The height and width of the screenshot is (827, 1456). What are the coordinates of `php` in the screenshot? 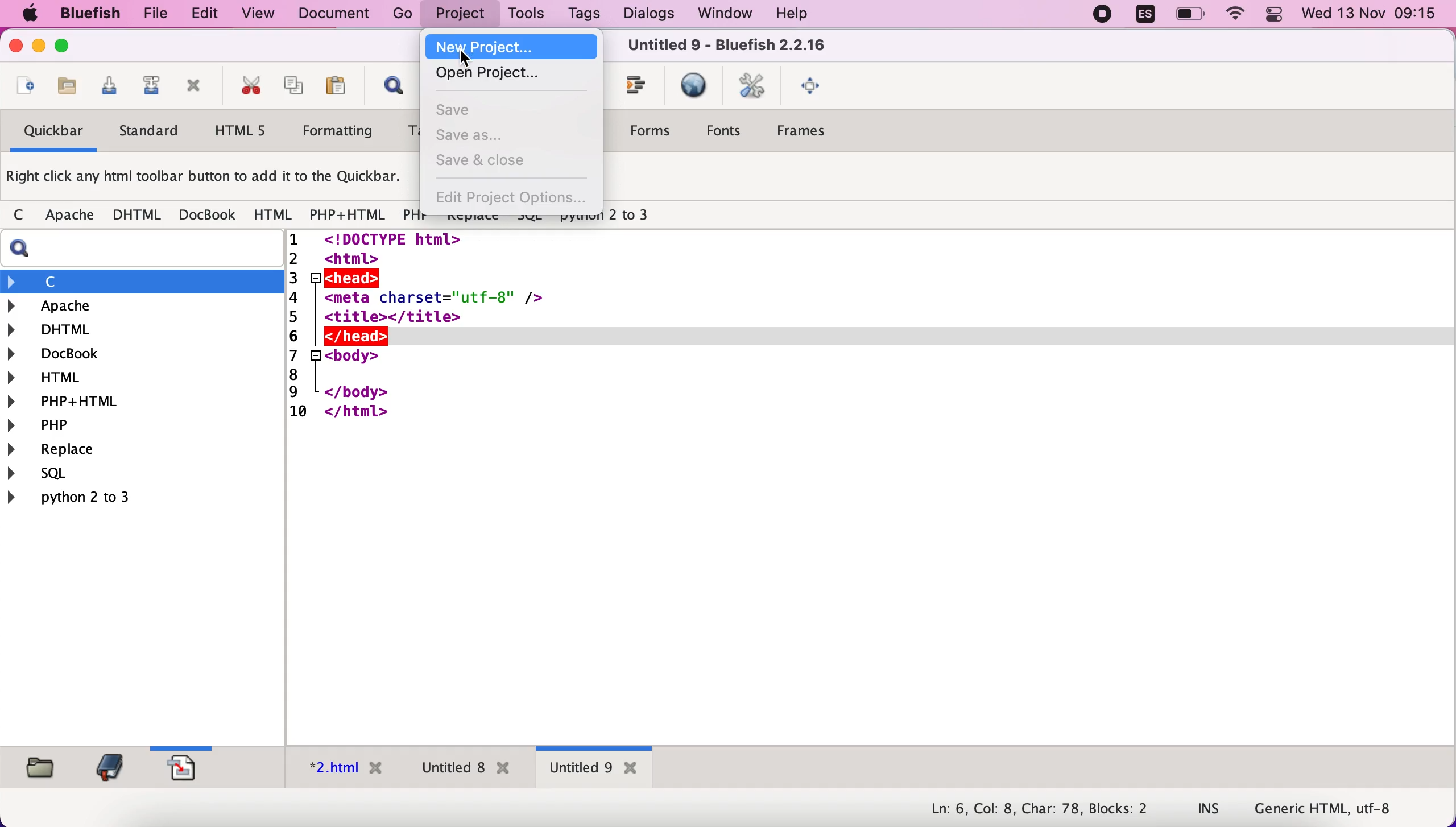 It's located at (412, 217).